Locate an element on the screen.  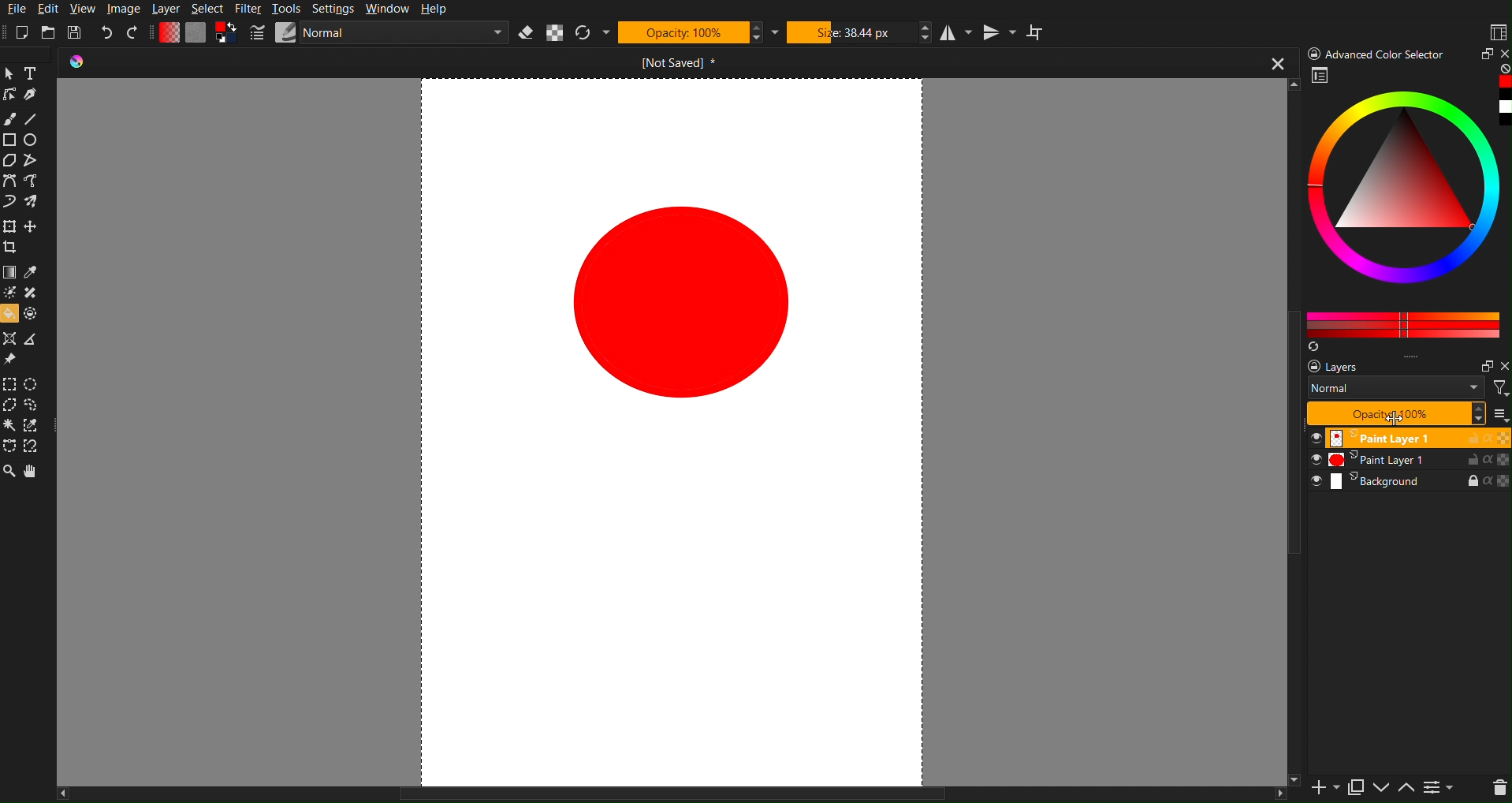
Opactity is located at coordinates (699, 32).